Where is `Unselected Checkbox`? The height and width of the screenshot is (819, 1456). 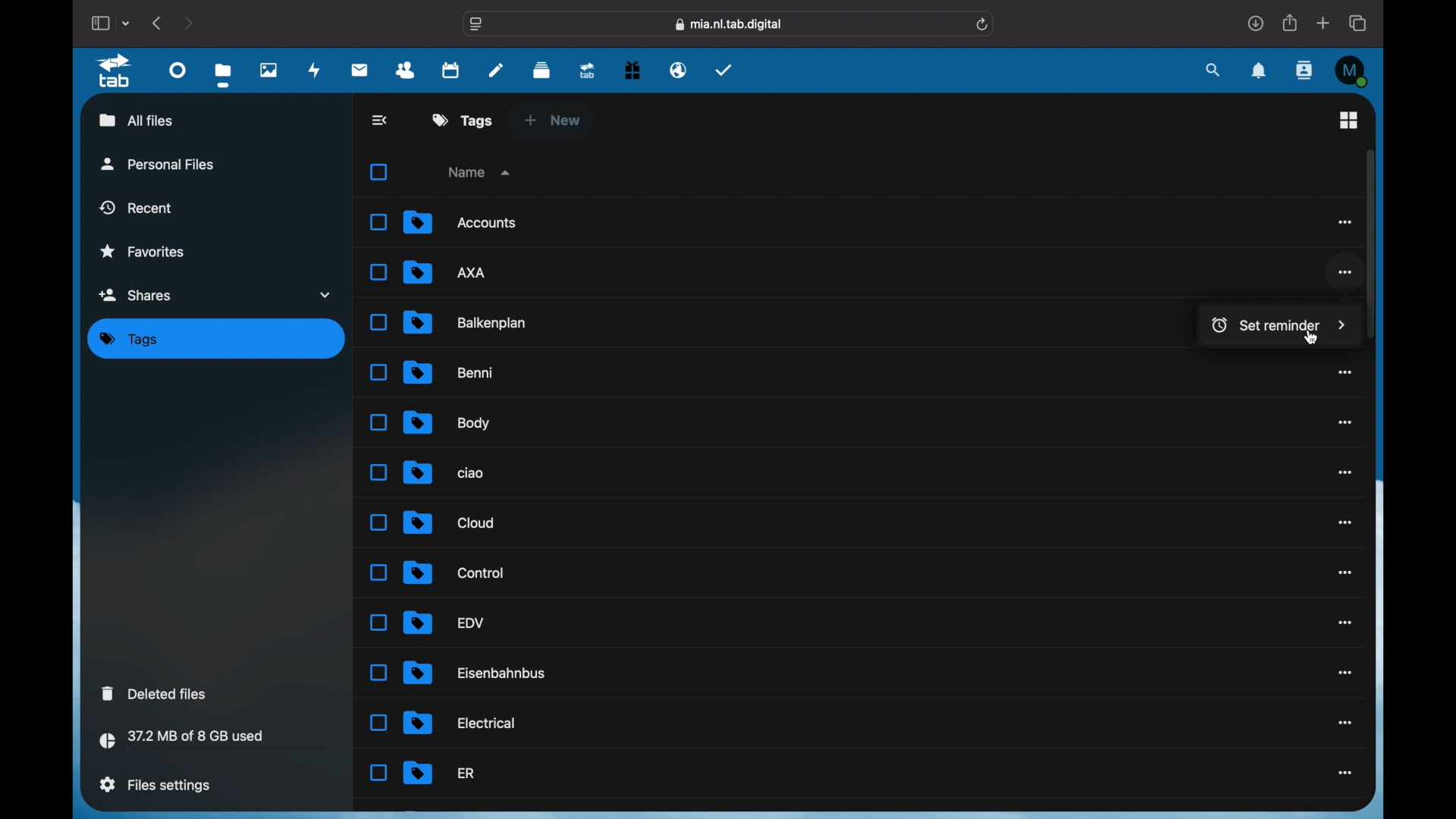
Unselected Checkbox is located at coordinates (377, 672).